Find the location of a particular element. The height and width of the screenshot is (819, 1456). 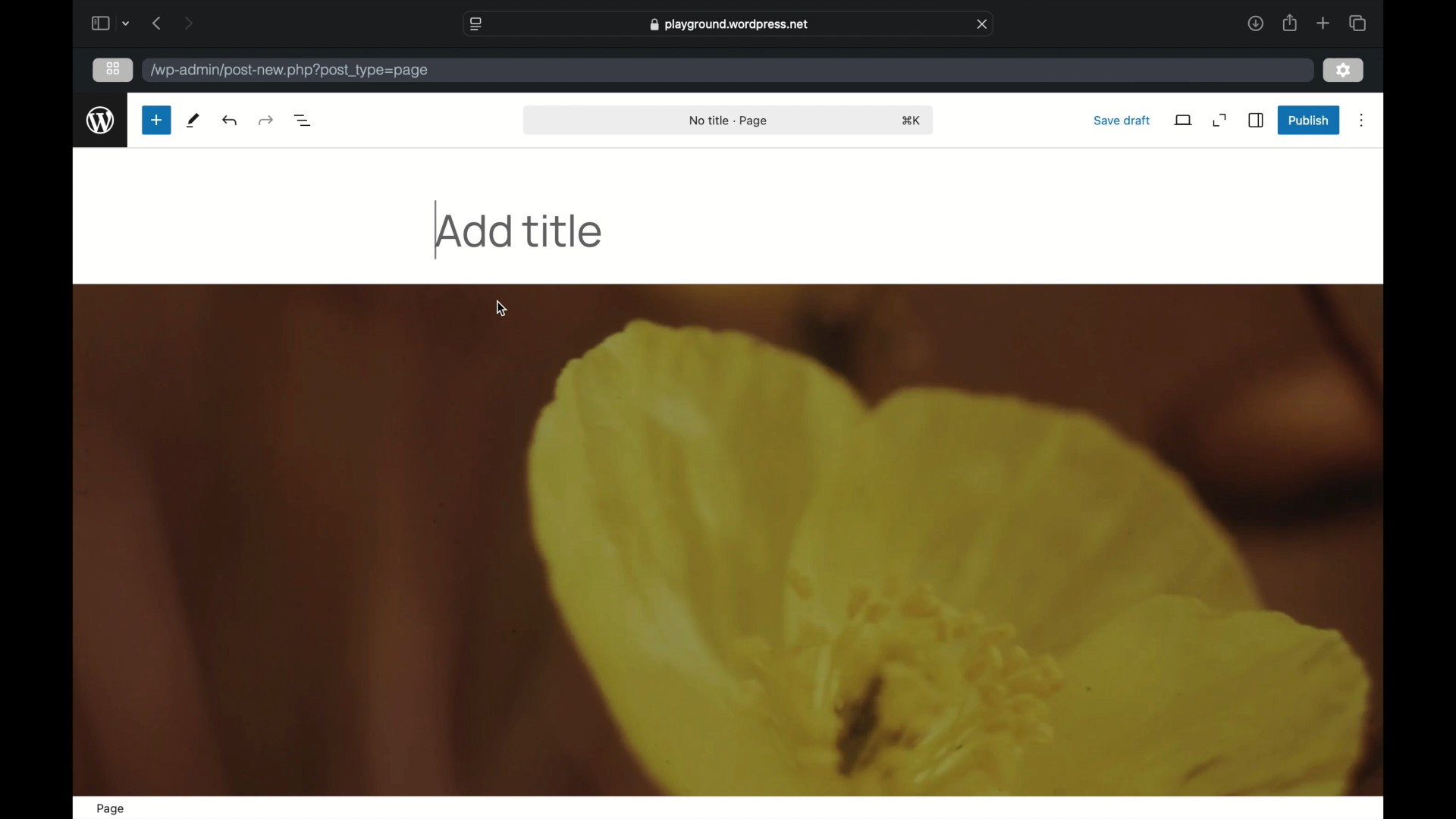

wordpress address is located at coordinates (290, 71).